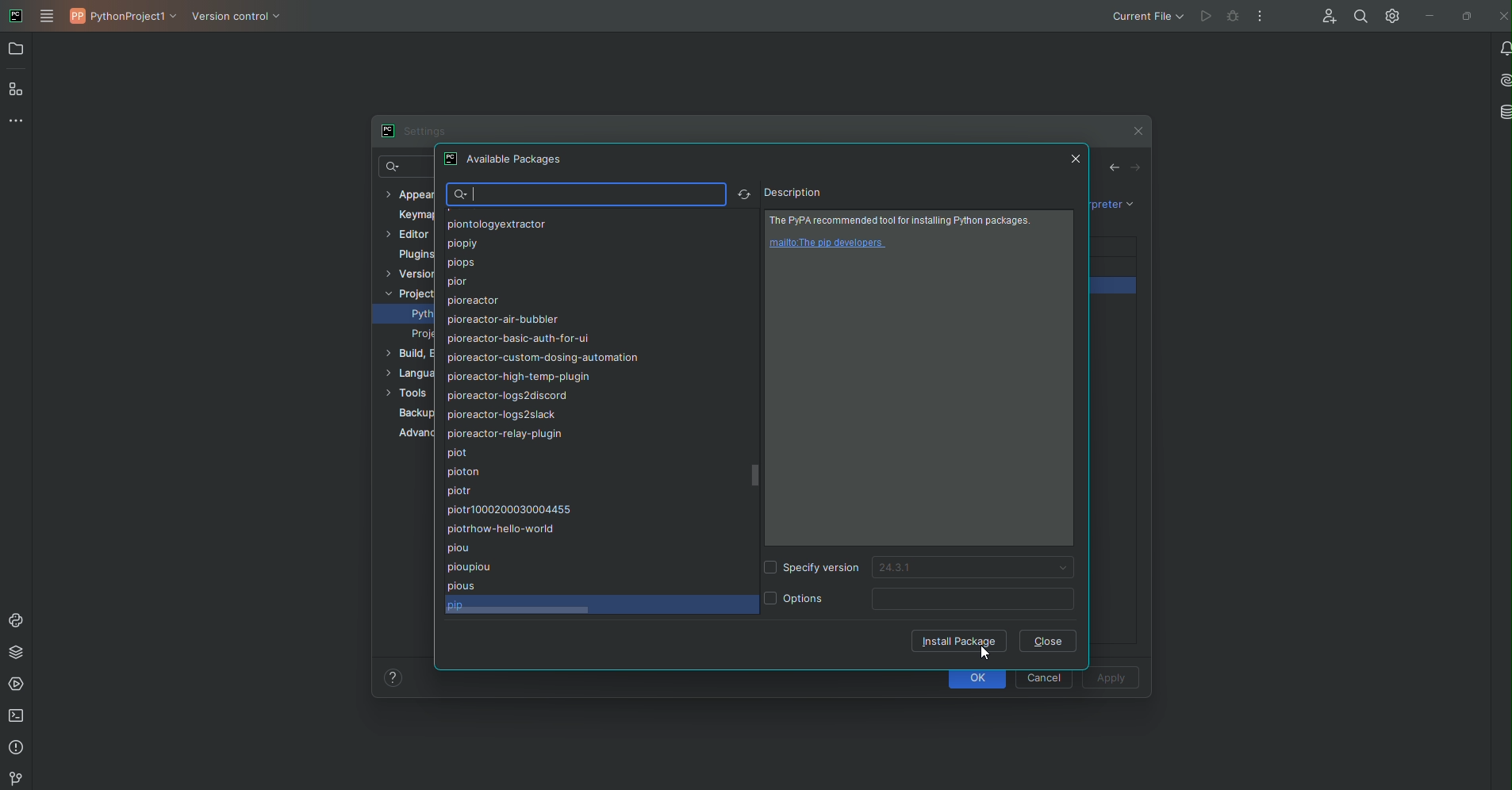 The image size is (1512, 790). Describe the element at coordinates (959, 640) in the screenshot. I see `Install package` at that location.